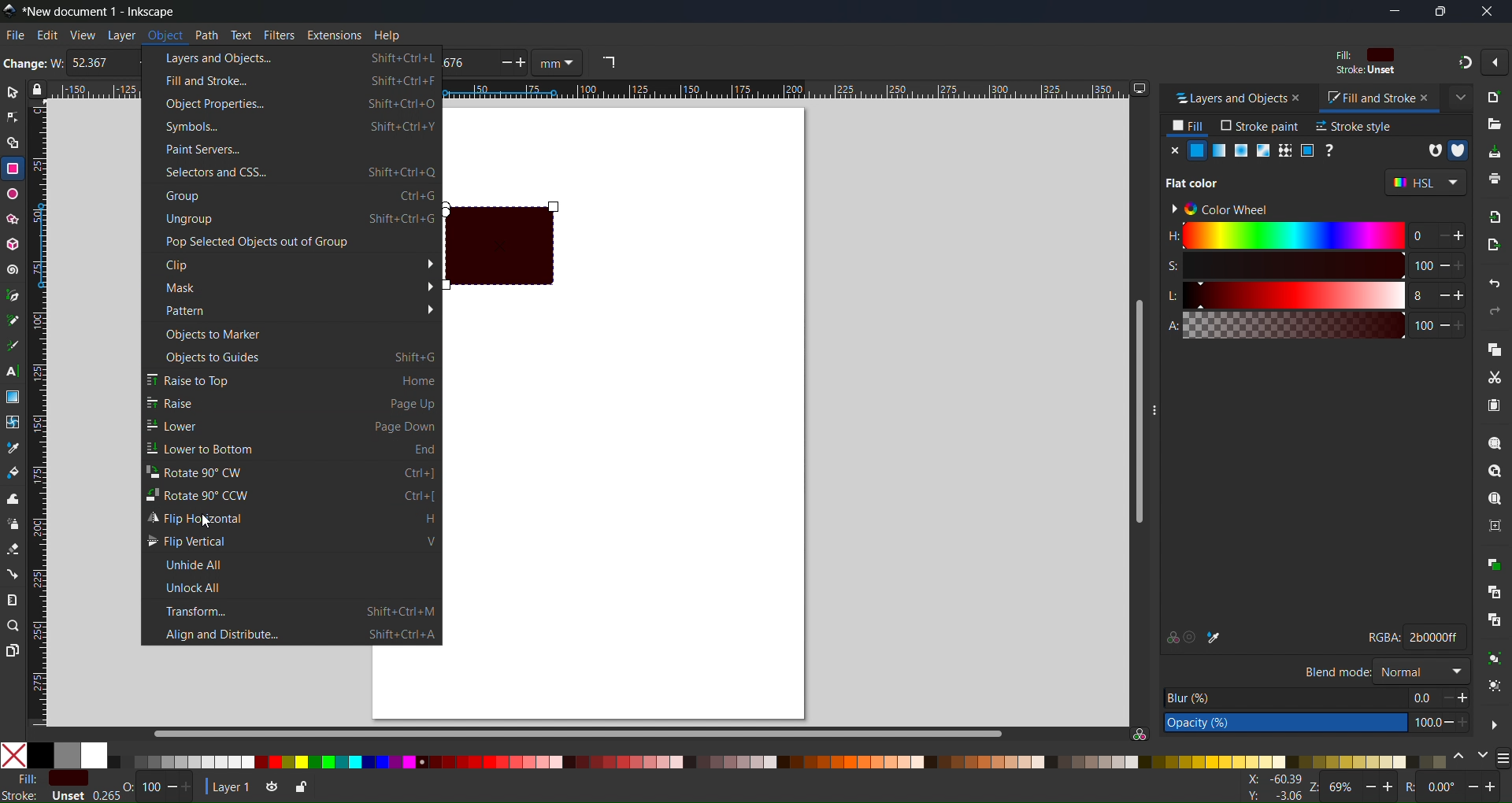 This screenshot has width=1512, height=803. What do you see at coordinates (242, 35) in the screenshot?
I see `Text` at bounding box center [242, 35].